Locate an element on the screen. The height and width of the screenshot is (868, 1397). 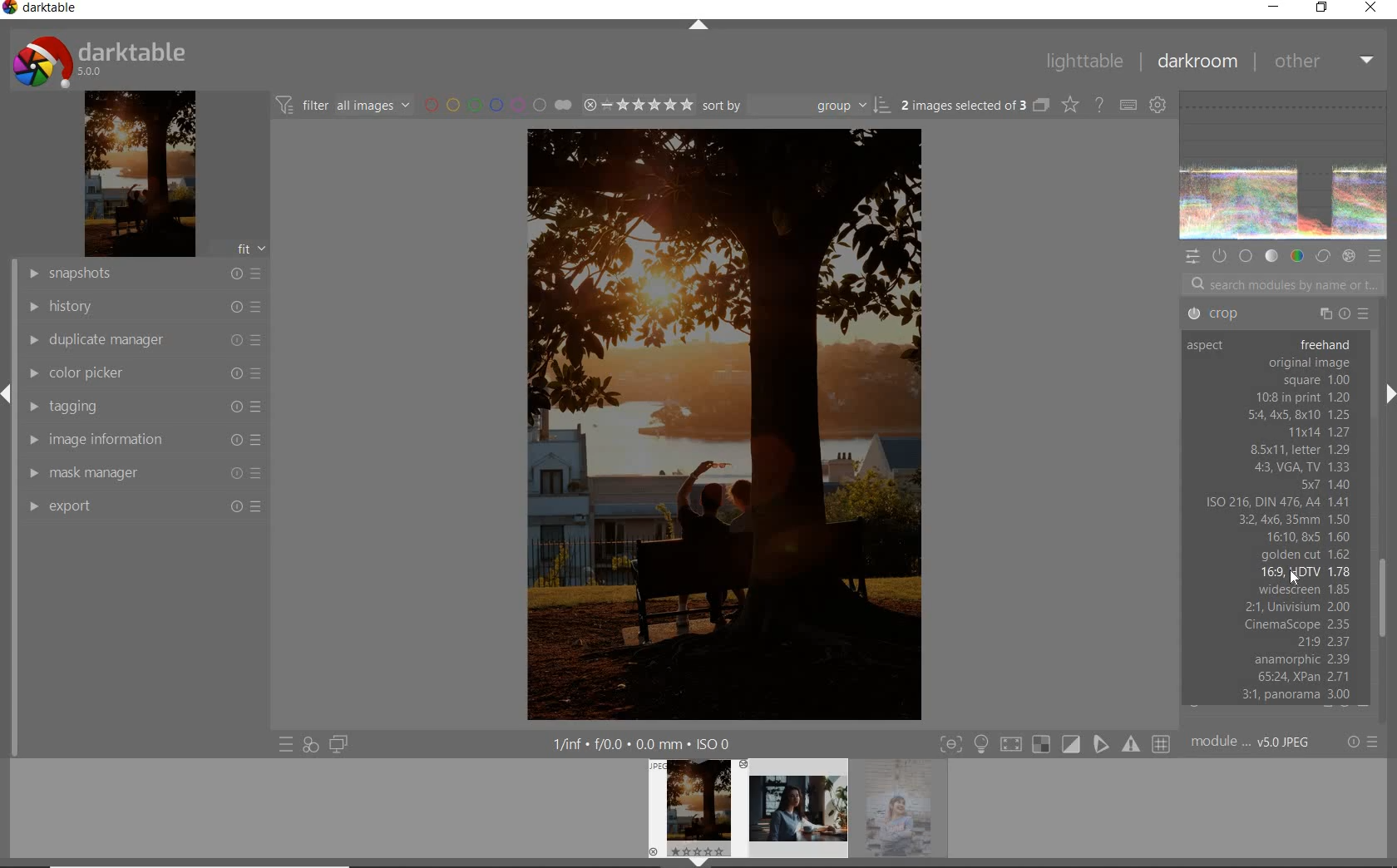
image information is located at coordinates (141, 439).